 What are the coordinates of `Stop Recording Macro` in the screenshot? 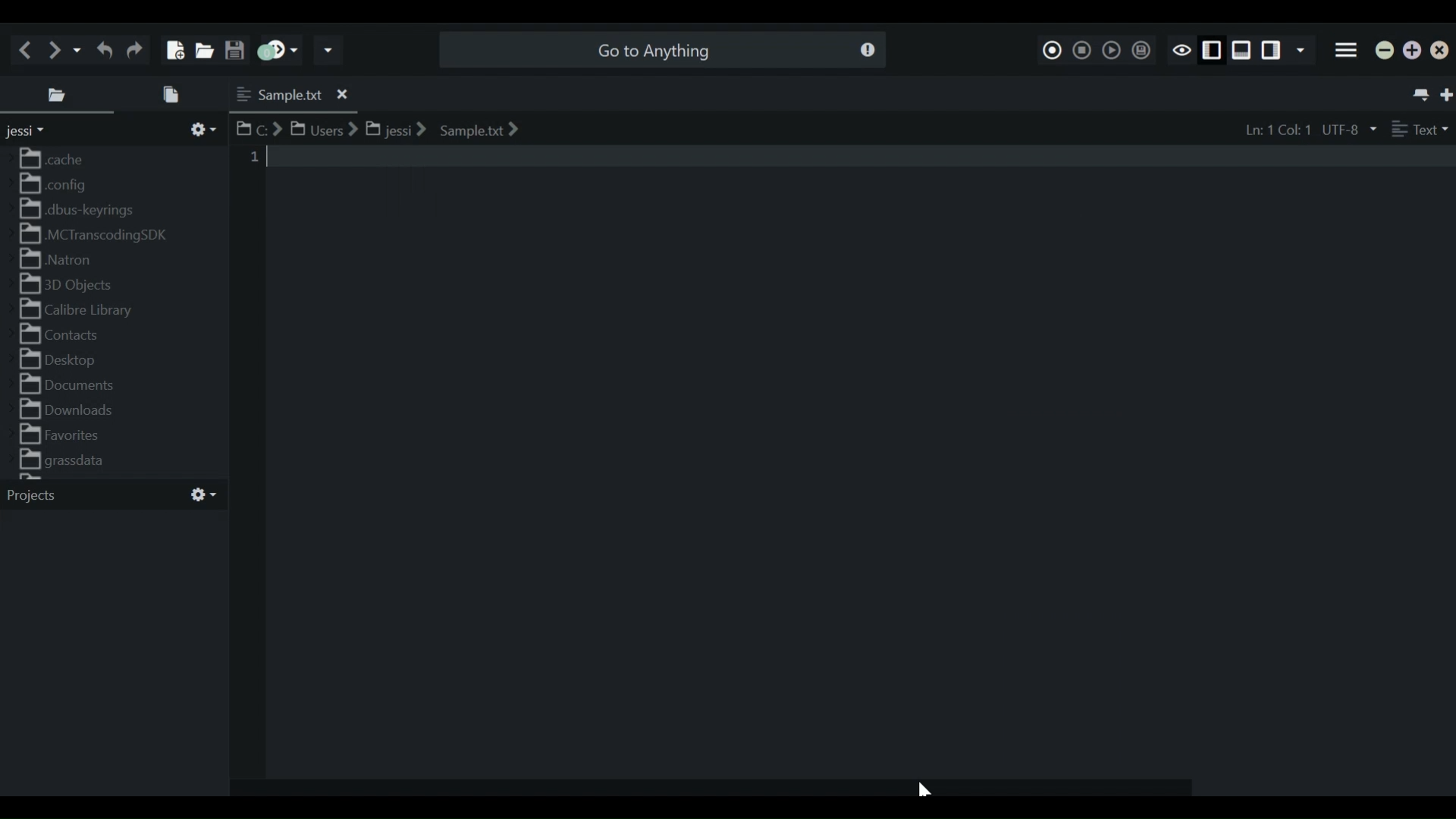 It's located at (1081, 50).